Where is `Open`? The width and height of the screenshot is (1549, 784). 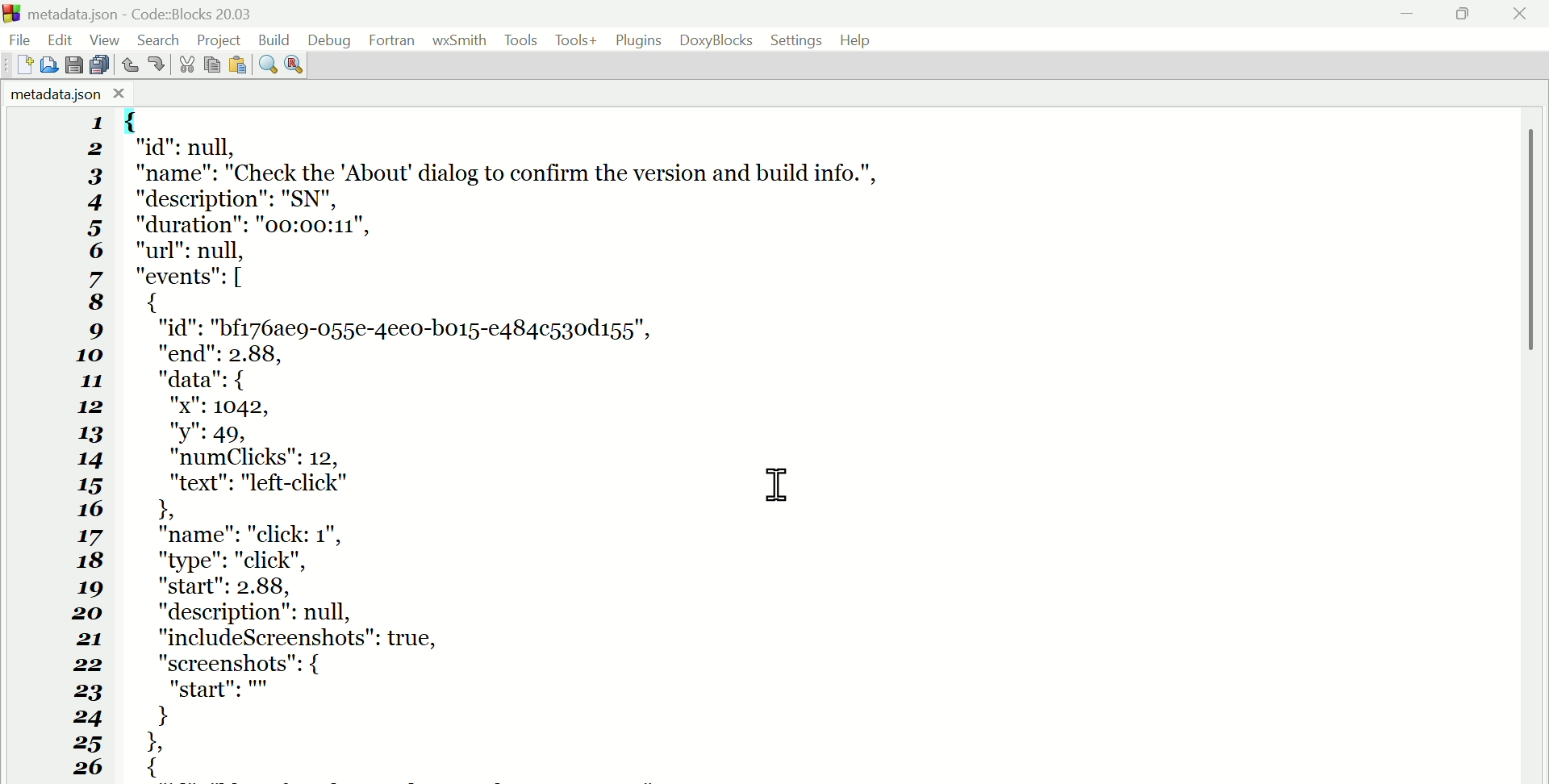
Open is located at coordinates (52, 63).